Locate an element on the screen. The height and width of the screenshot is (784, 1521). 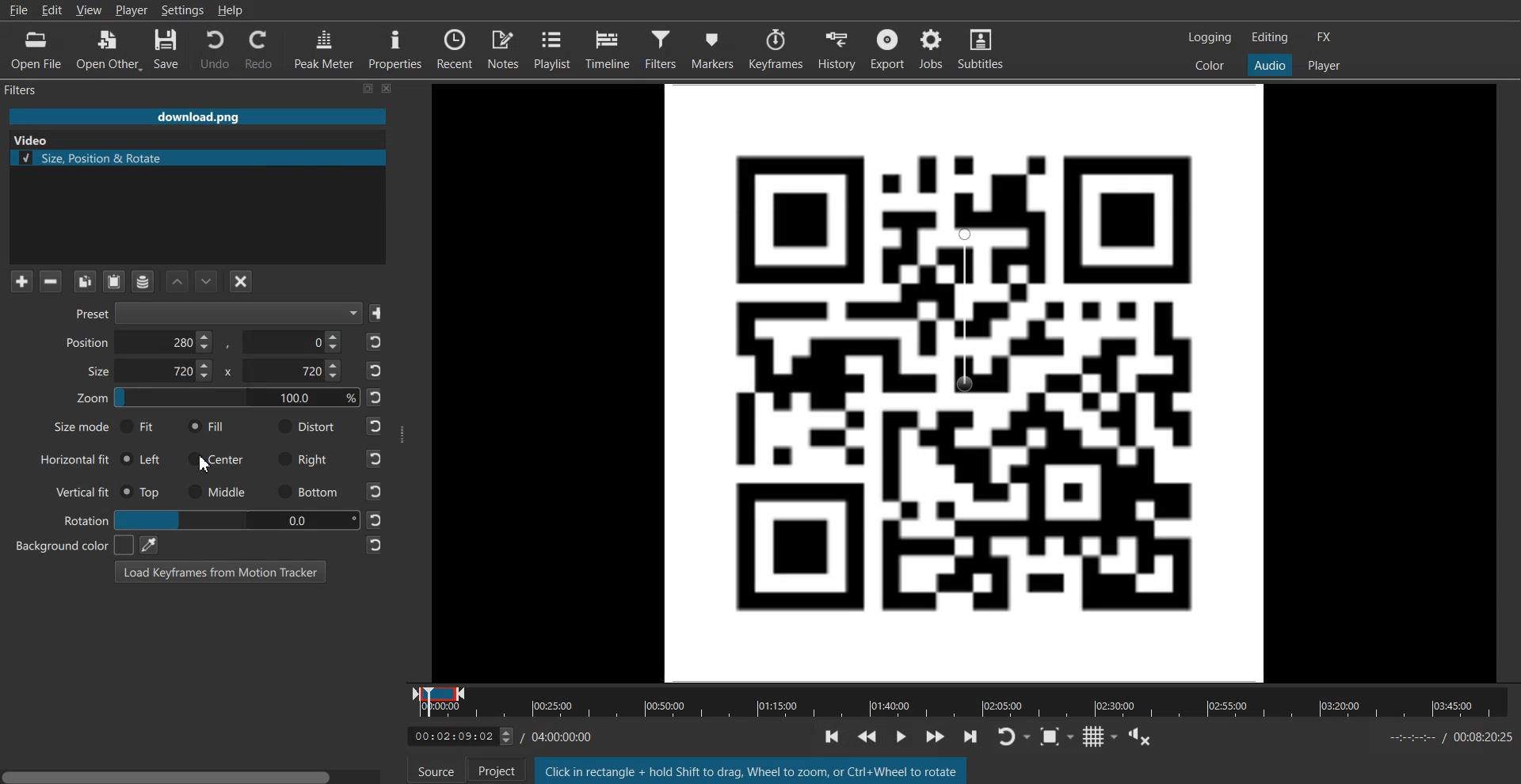
Bottom is located at coordinates (307, 493).